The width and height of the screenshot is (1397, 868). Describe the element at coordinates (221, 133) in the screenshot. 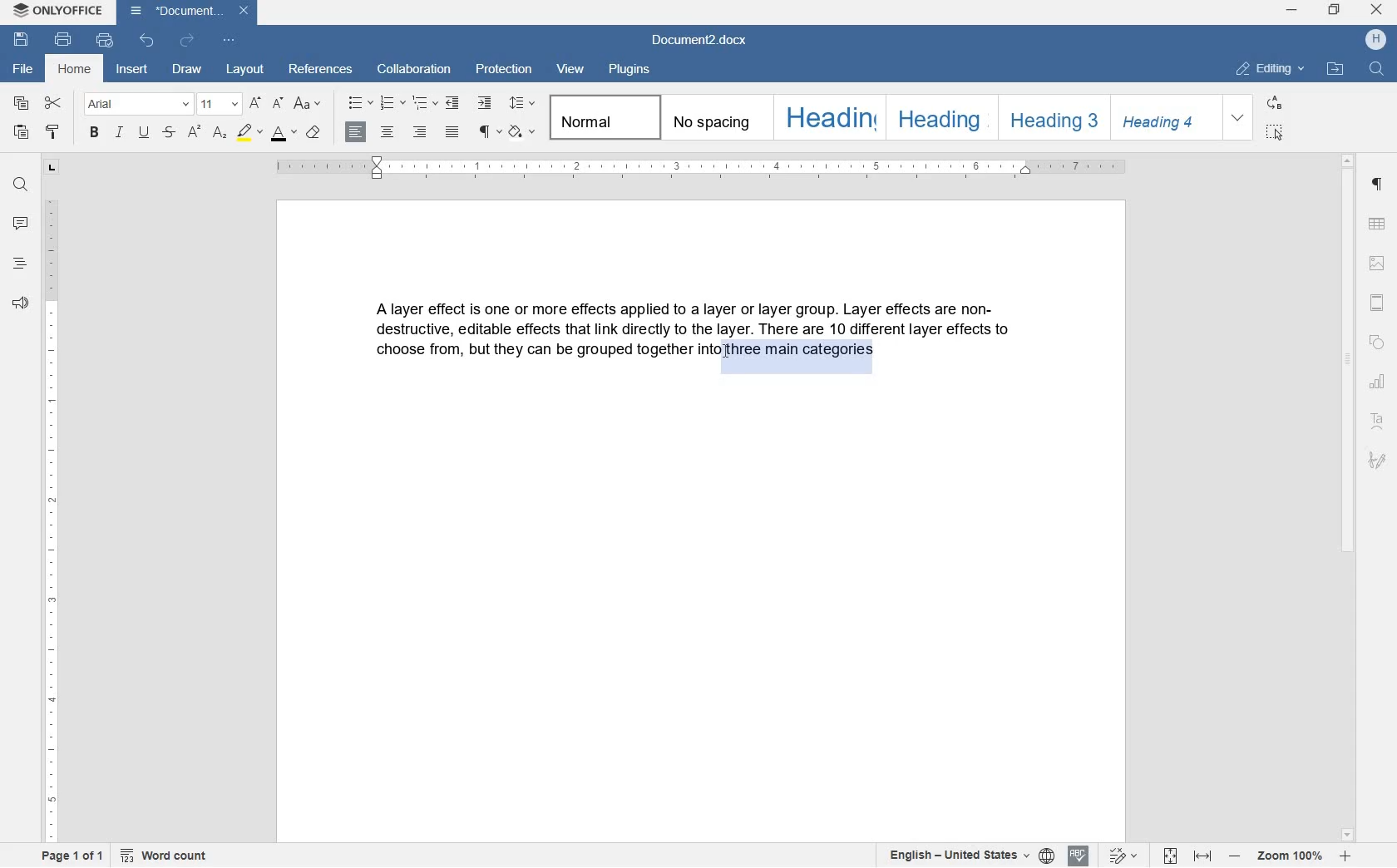

I see `subscript` at that location.